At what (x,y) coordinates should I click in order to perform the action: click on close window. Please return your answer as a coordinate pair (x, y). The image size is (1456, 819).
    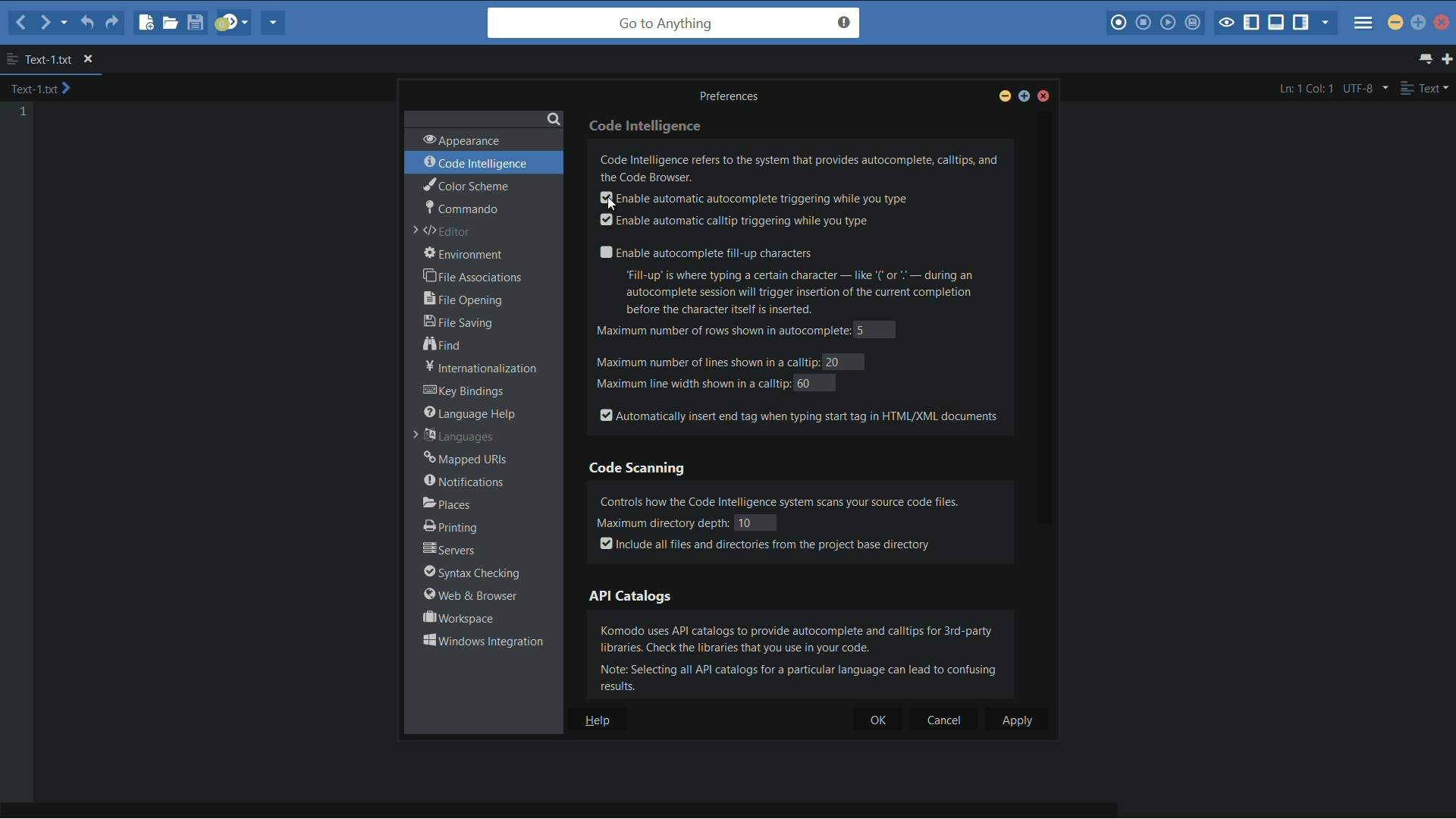
    Looking at the image, I should click on (1045, 98).